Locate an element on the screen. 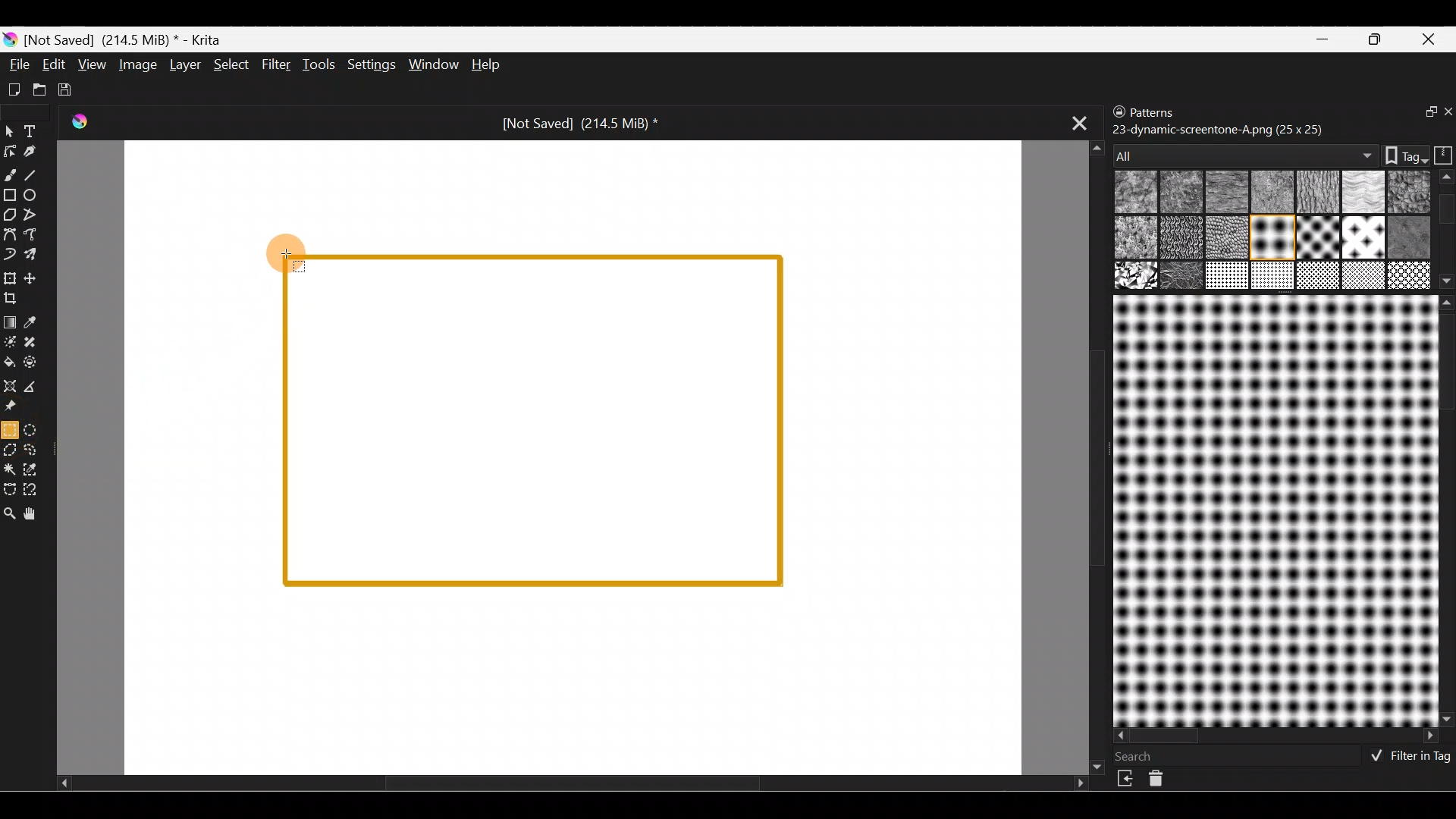  Pan tool is located at coordinates (37, 514).